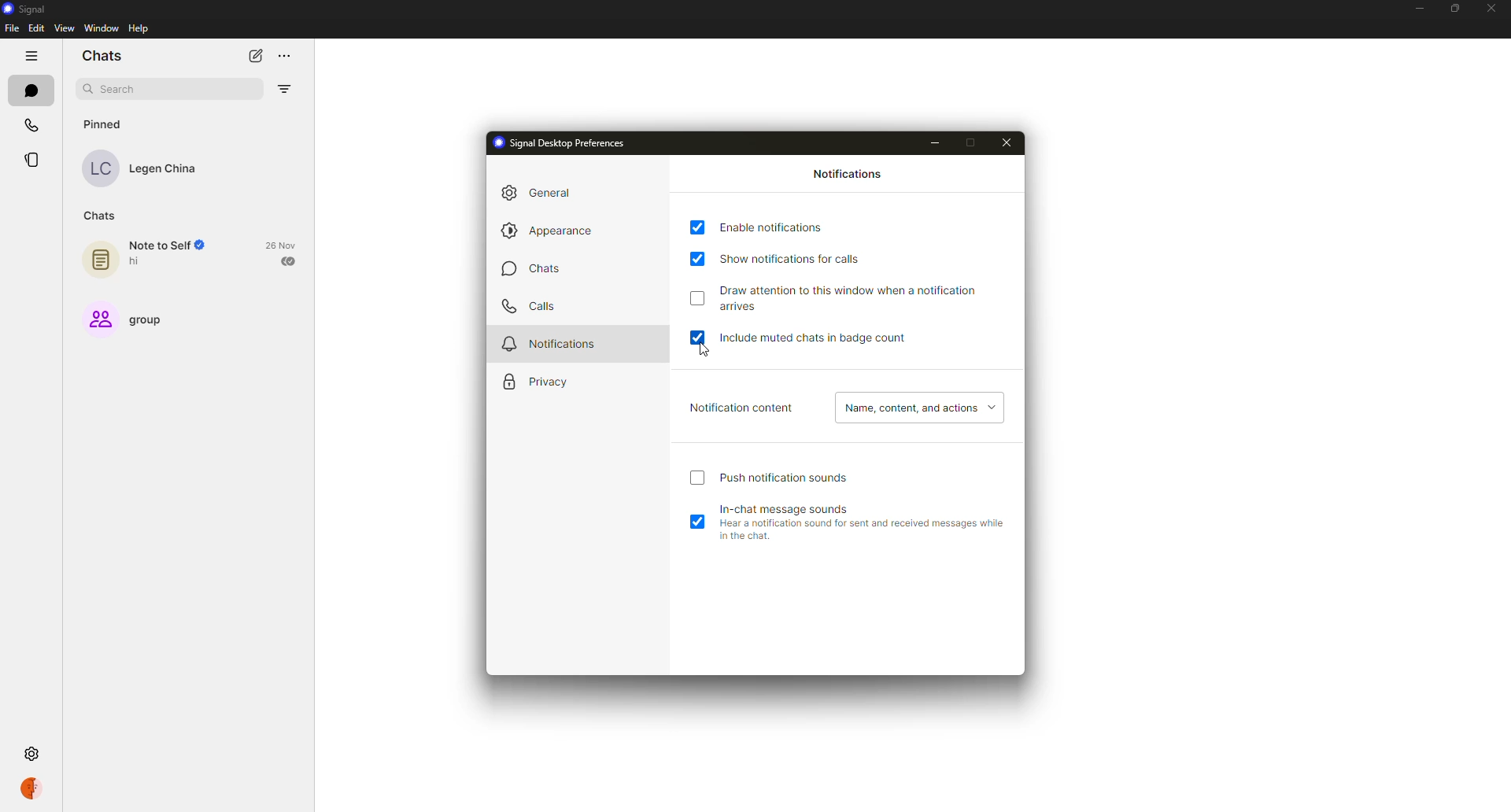  Describe the element at coordinates (700, 258) in the screenshot. I see `enabled` at that location.